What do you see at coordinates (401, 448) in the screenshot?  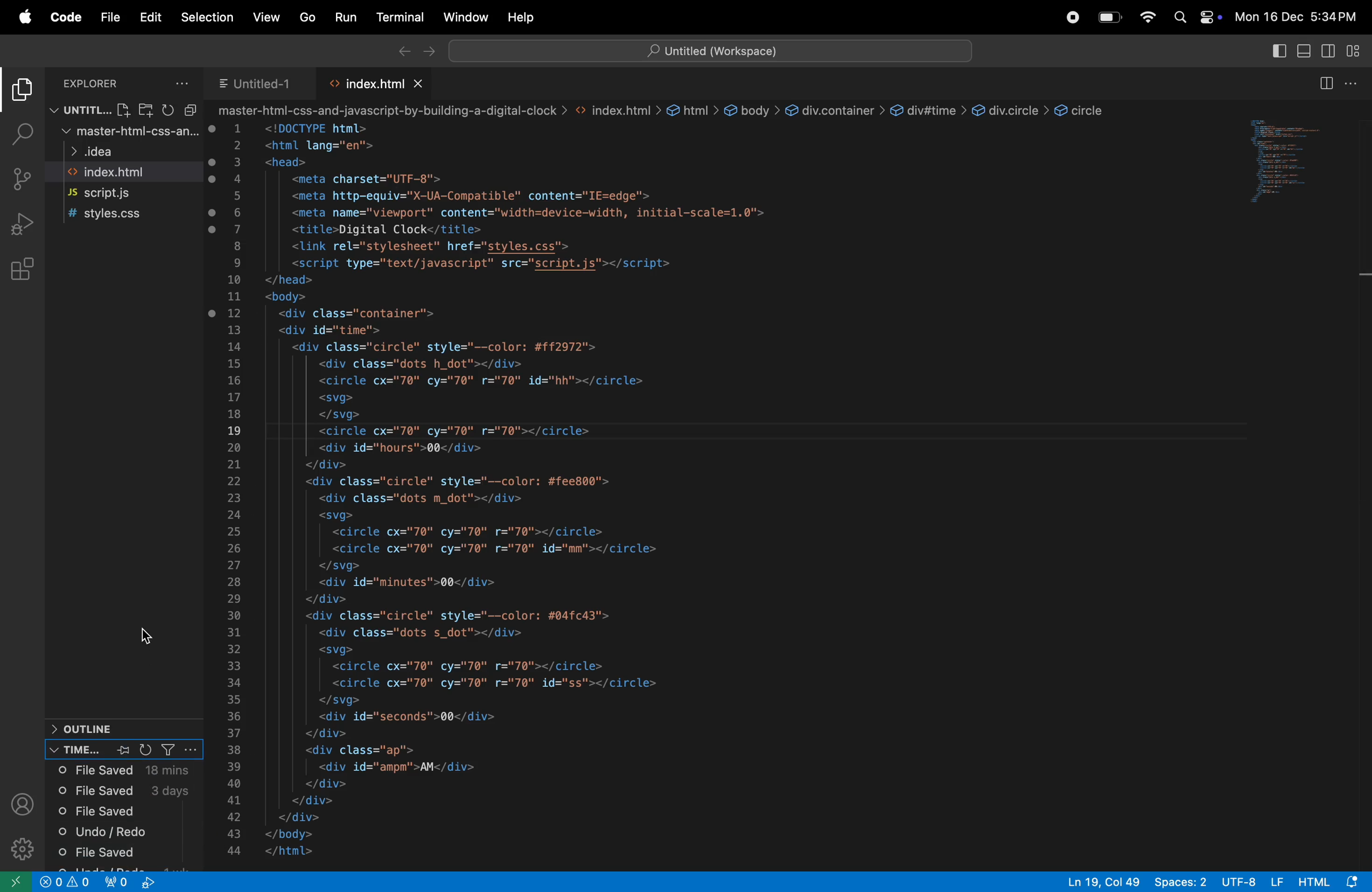 I see `| <div id="hours">00</div>` at bounding box center [401, 448].